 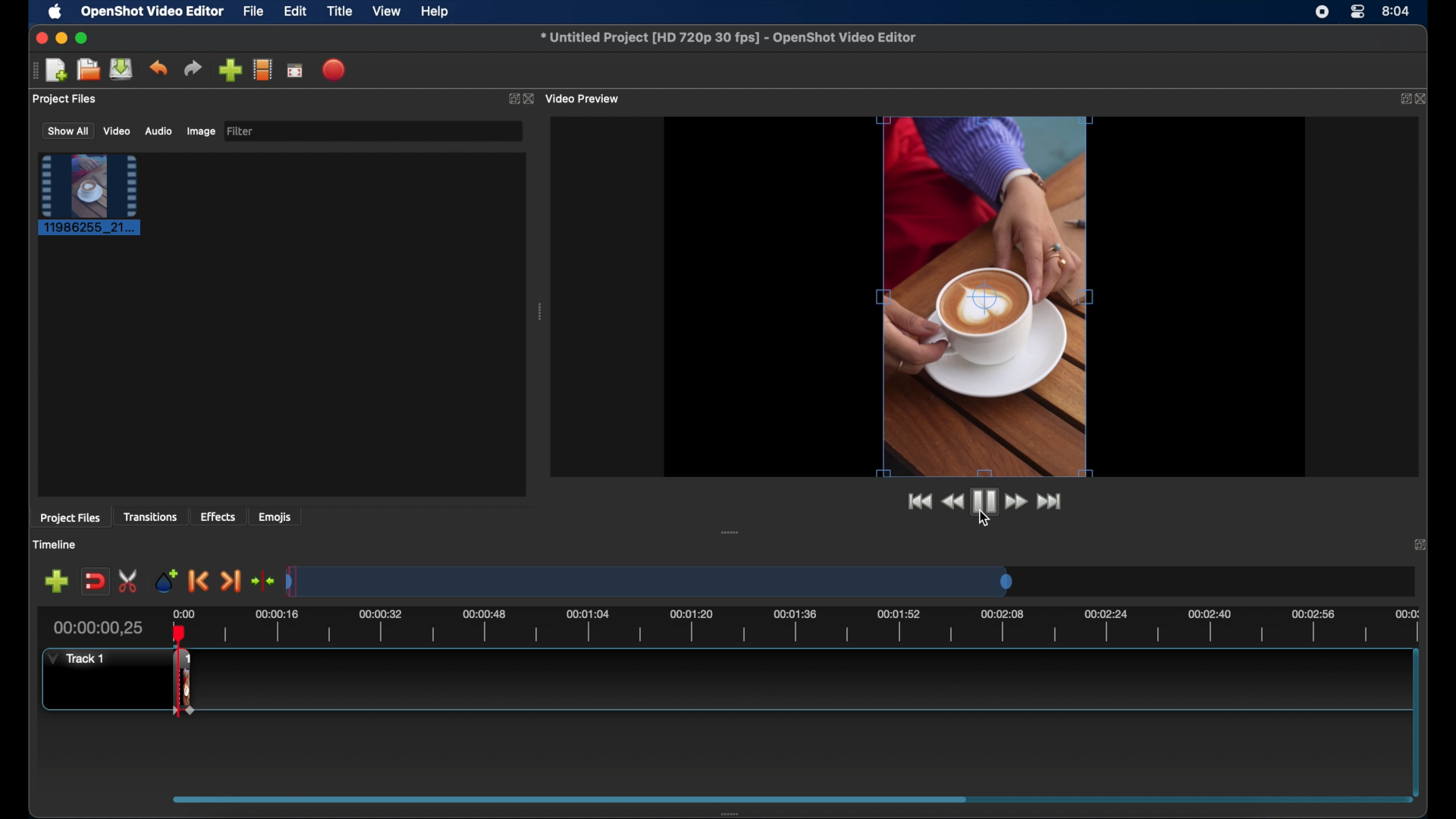 I want to click on maximize, so click(x=83, y=38).